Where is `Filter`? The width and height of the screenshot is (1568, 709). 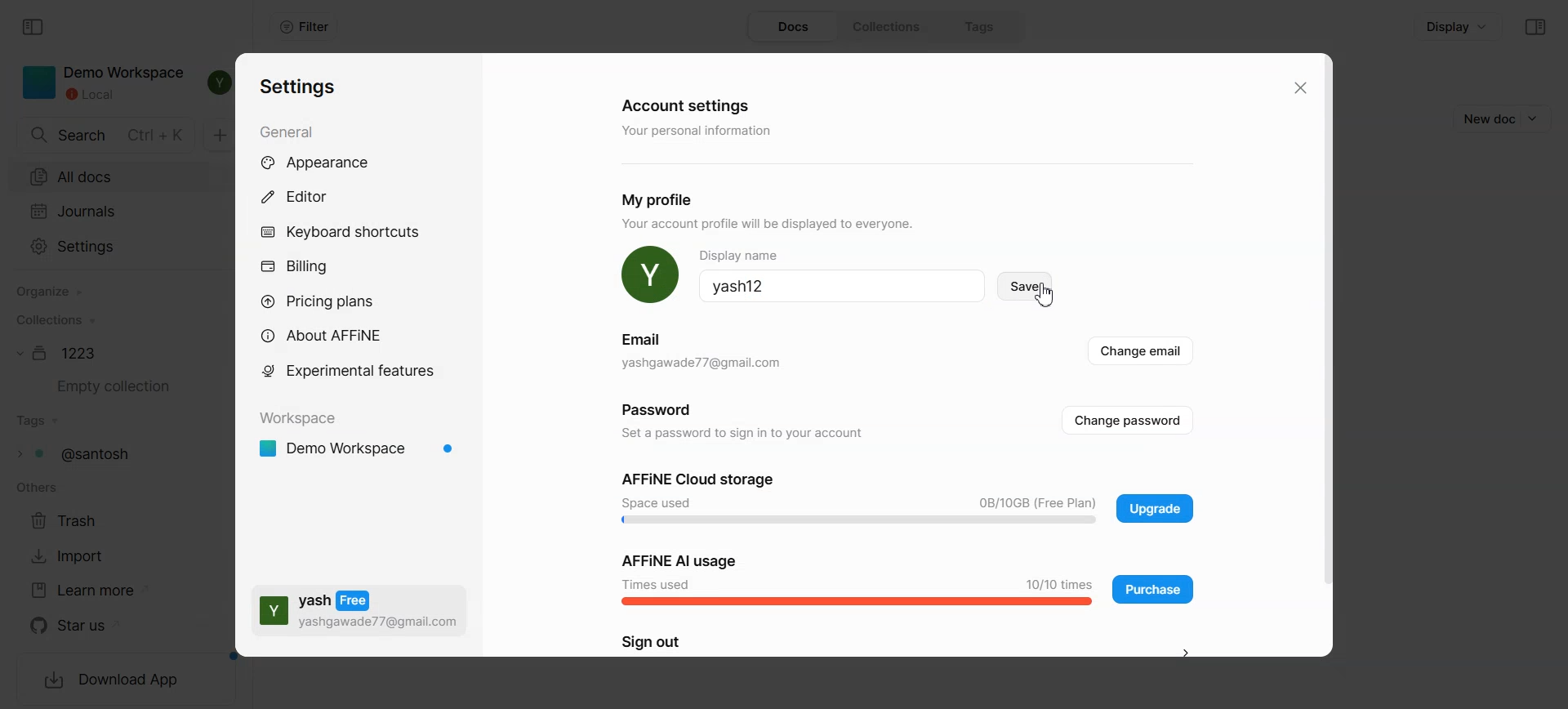 Filter is located at coordinates (304, 27).